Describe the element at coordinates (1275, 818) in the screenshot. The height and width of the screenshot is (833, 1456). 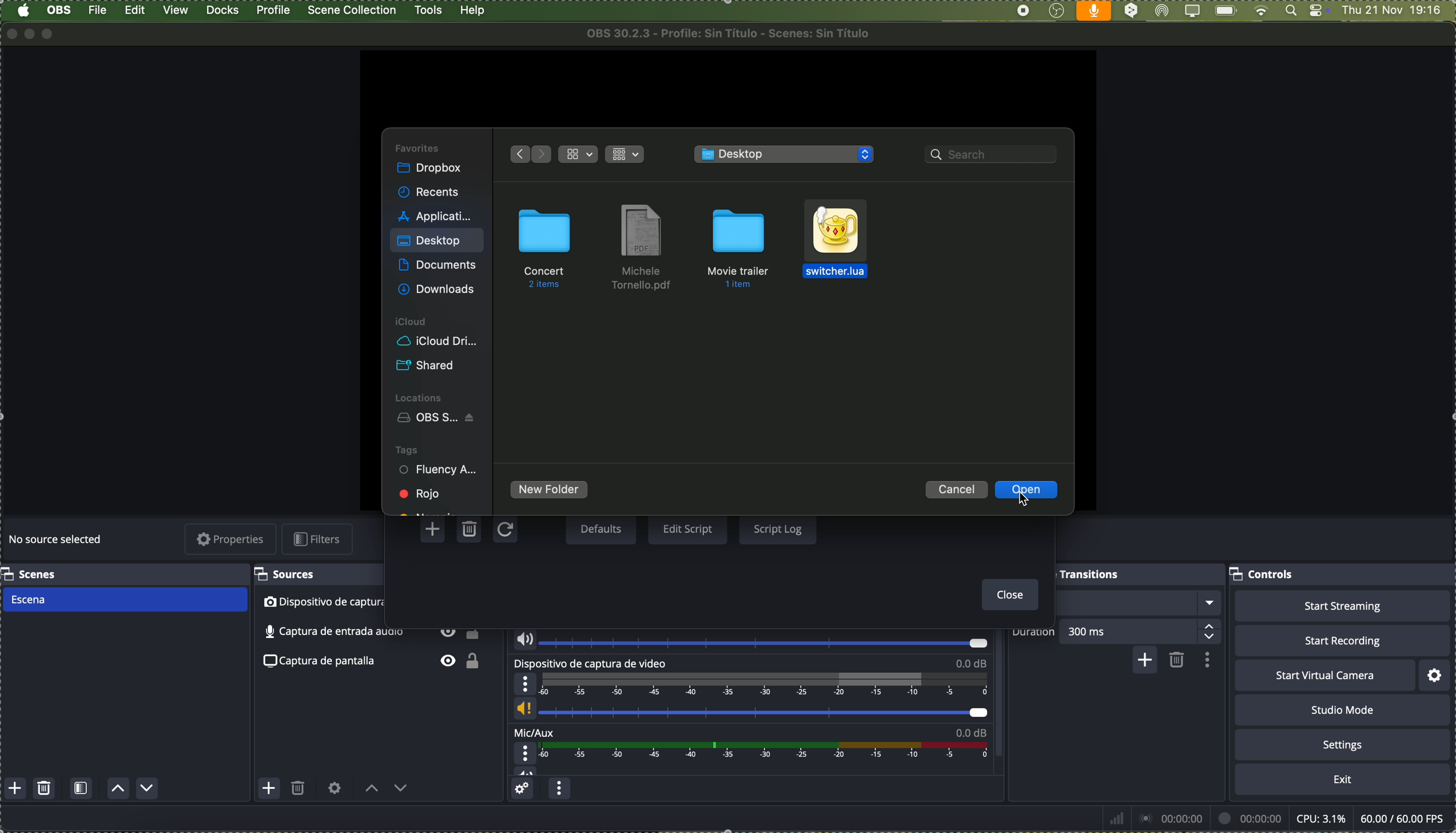
I see `data` at that location.